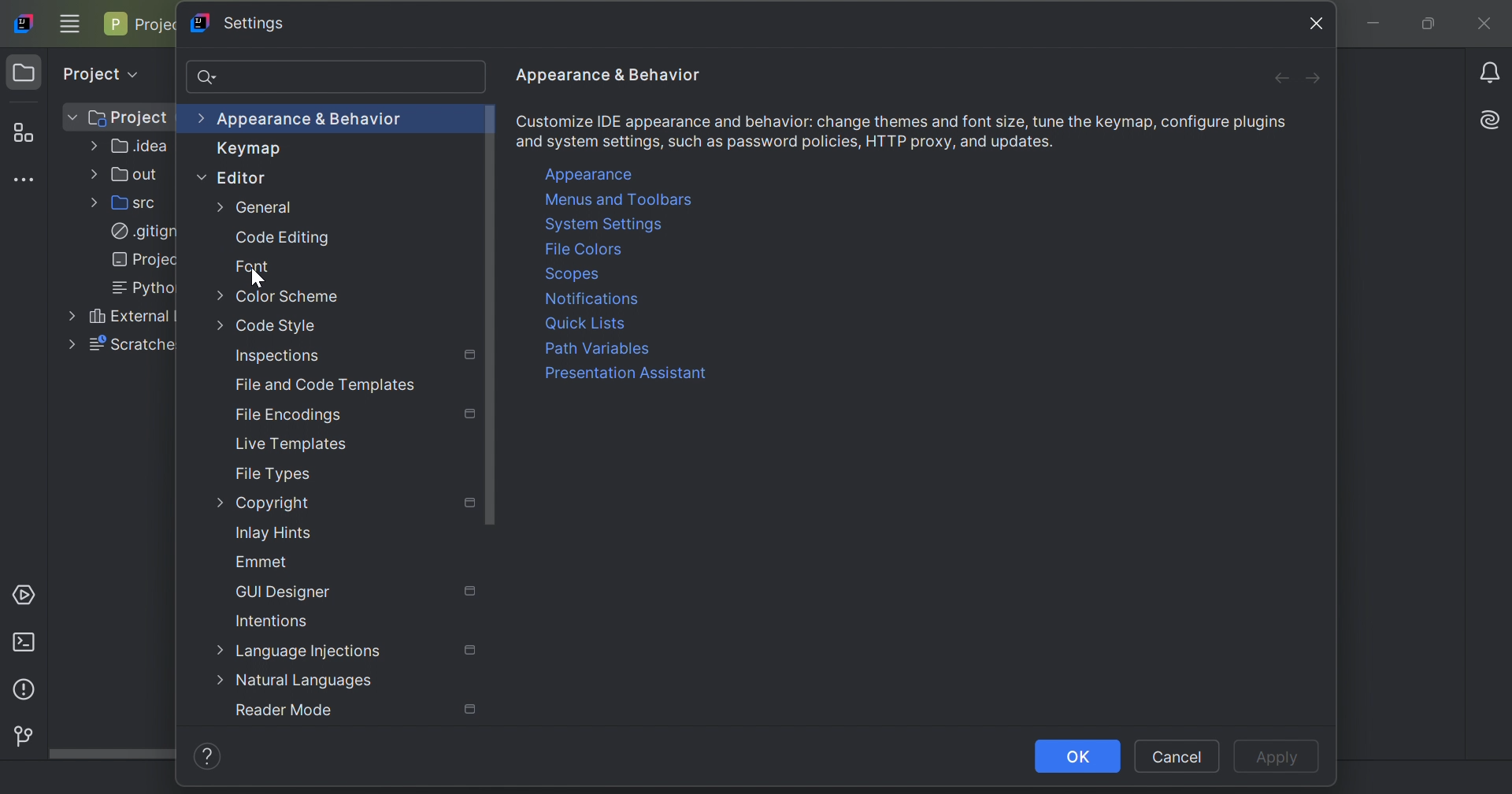 The width and height of the screenshot is (1512, 794). Describe the element at coordinates (139, 259) in the screenshot. I see `projec` at that location.